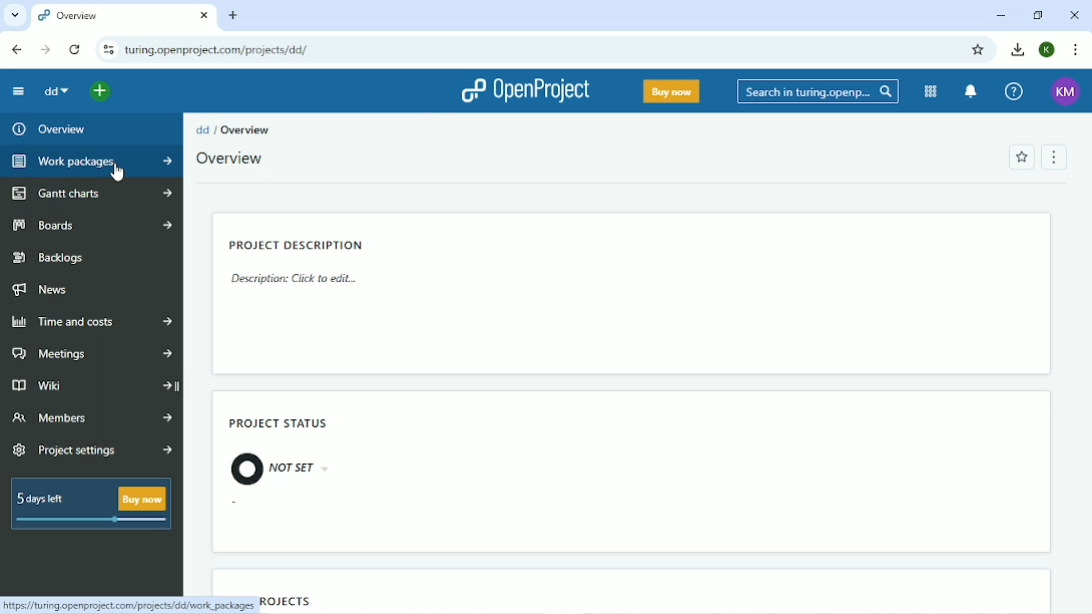 This screenshot has height=614, width=1092. What do you see at coordinates (930, 91) in the screenshot?
I see `Modules` at bounding box center [930, 91].